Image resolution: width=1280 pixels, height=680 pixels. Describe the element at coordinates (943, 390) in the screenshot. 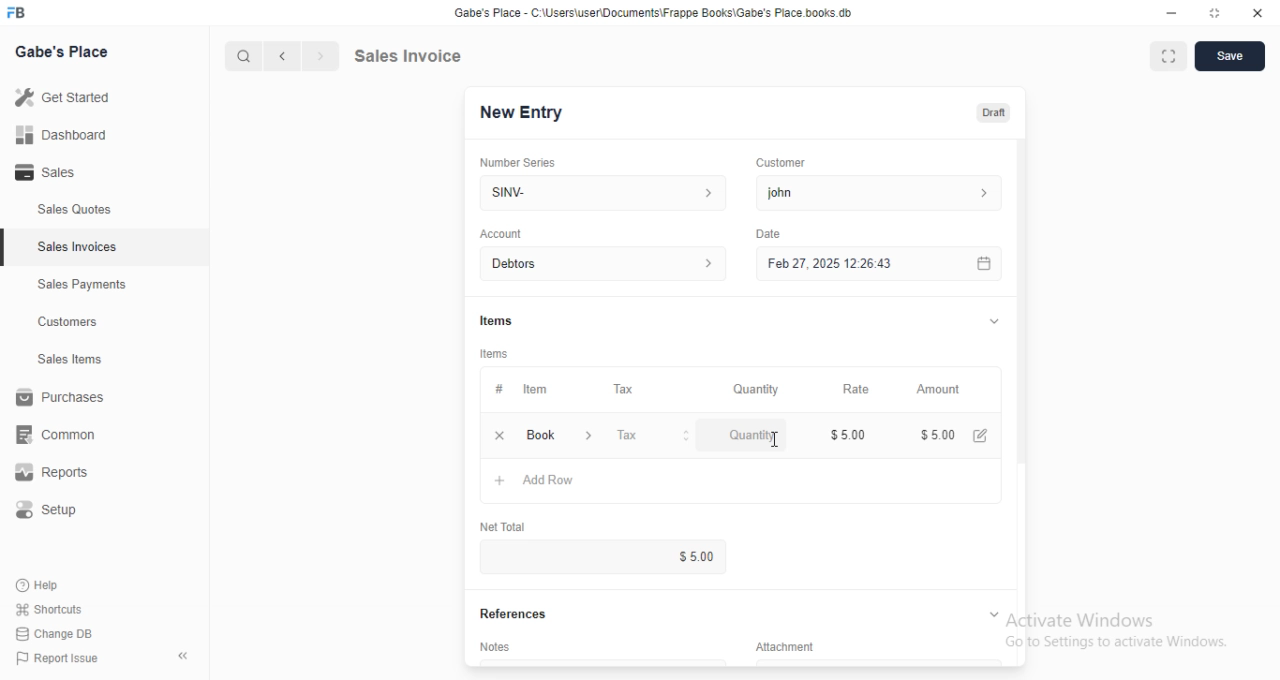

I see `Amount` at that location.